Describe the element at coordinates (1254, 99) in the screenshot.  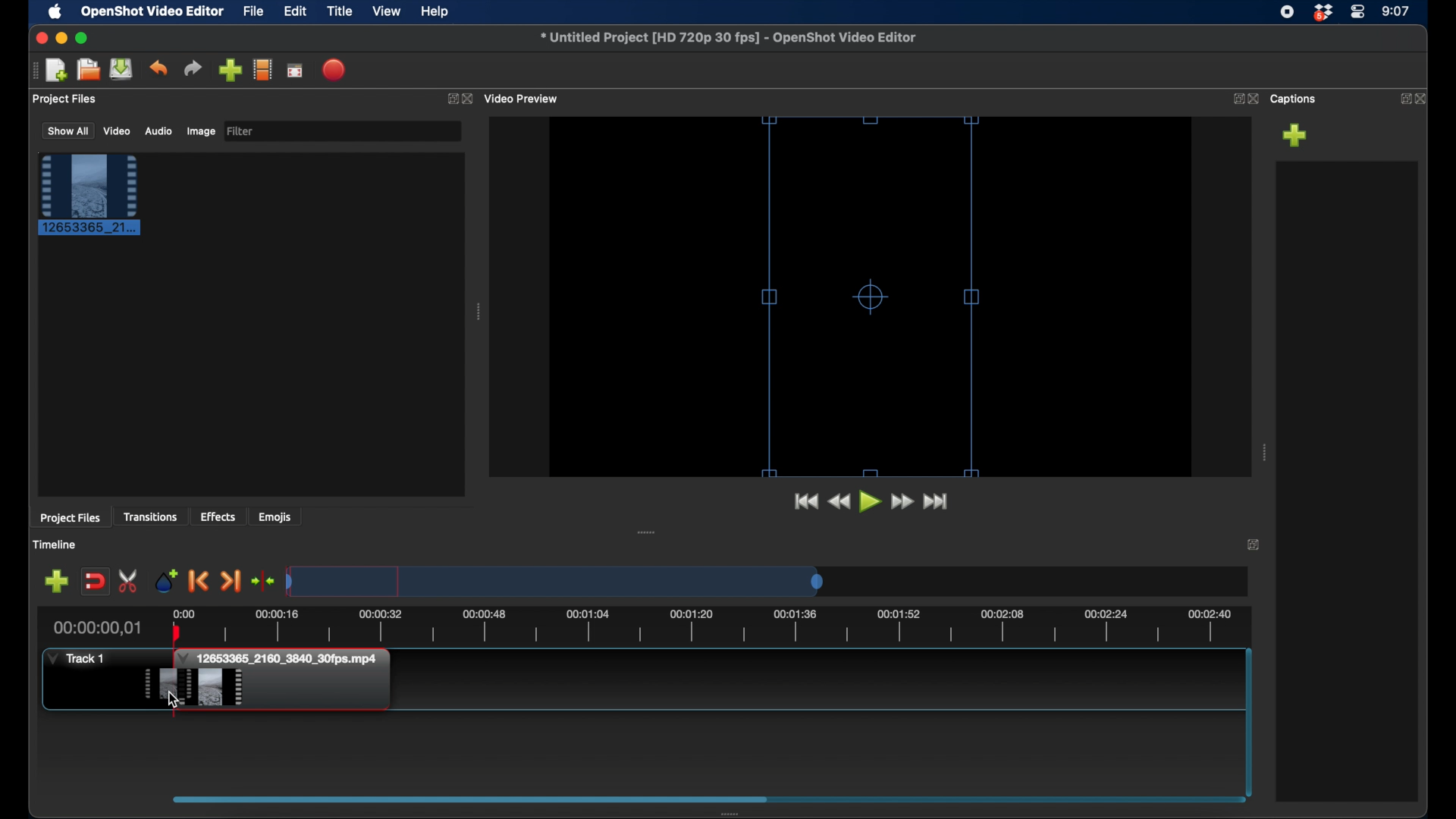
I see `close` at that location.